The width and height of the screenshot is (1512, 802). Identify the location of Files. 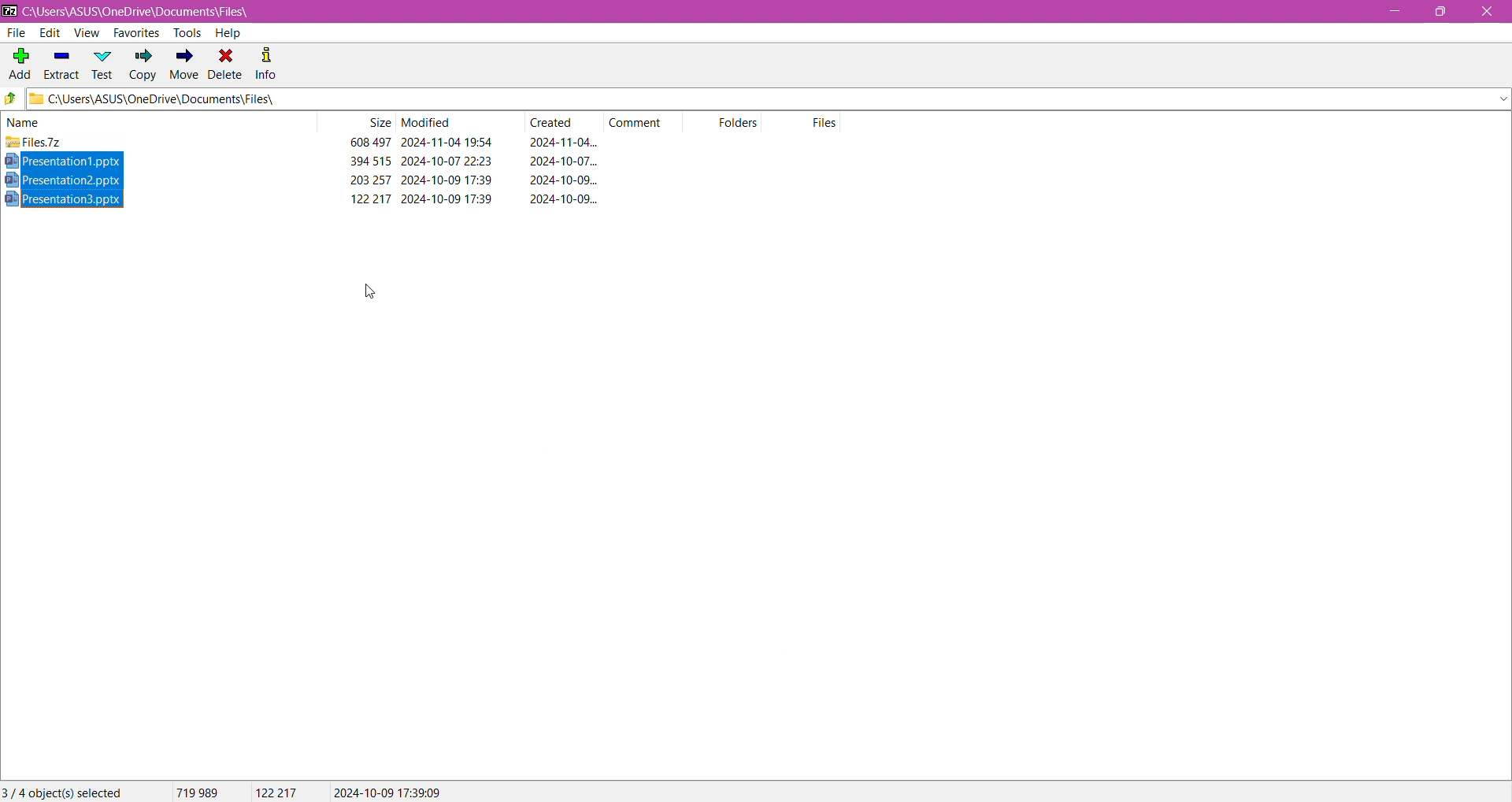
(827, 122).